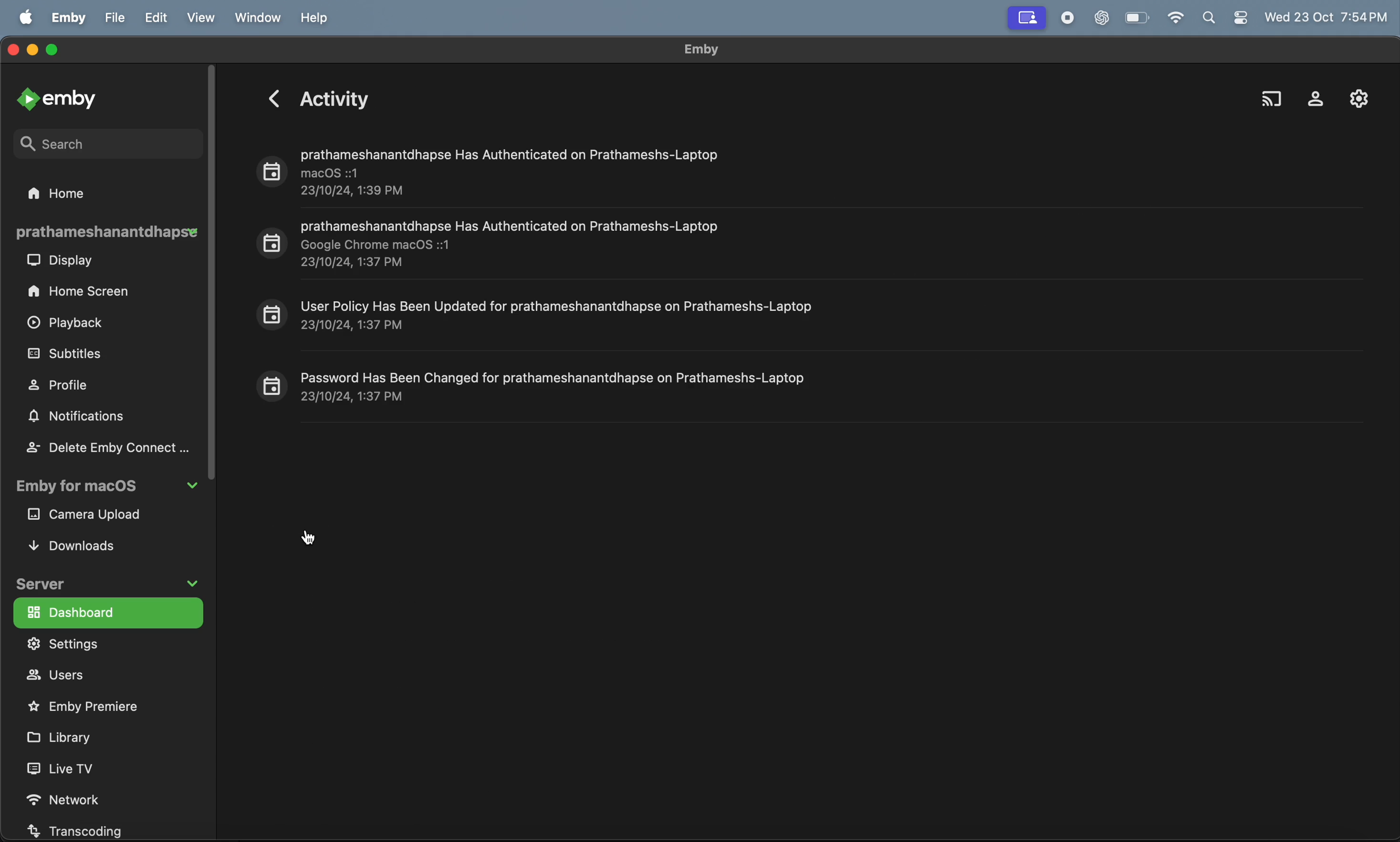 The height and width of the screenshot is (842, 1400). Describe the element at coordinates (1138, 19) in the screenshot. I see `battery` at that location.